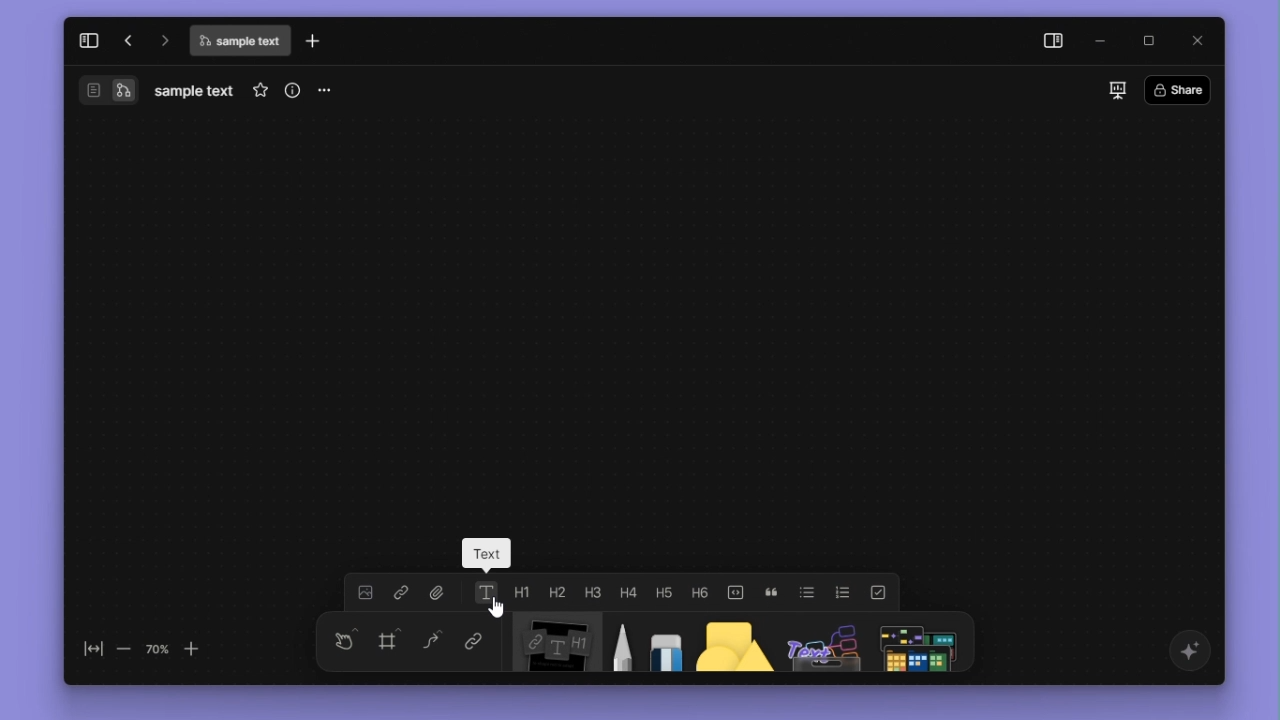 This screenshot has height=720, width=1280. I want to click on heading 4, so click(629, 591).